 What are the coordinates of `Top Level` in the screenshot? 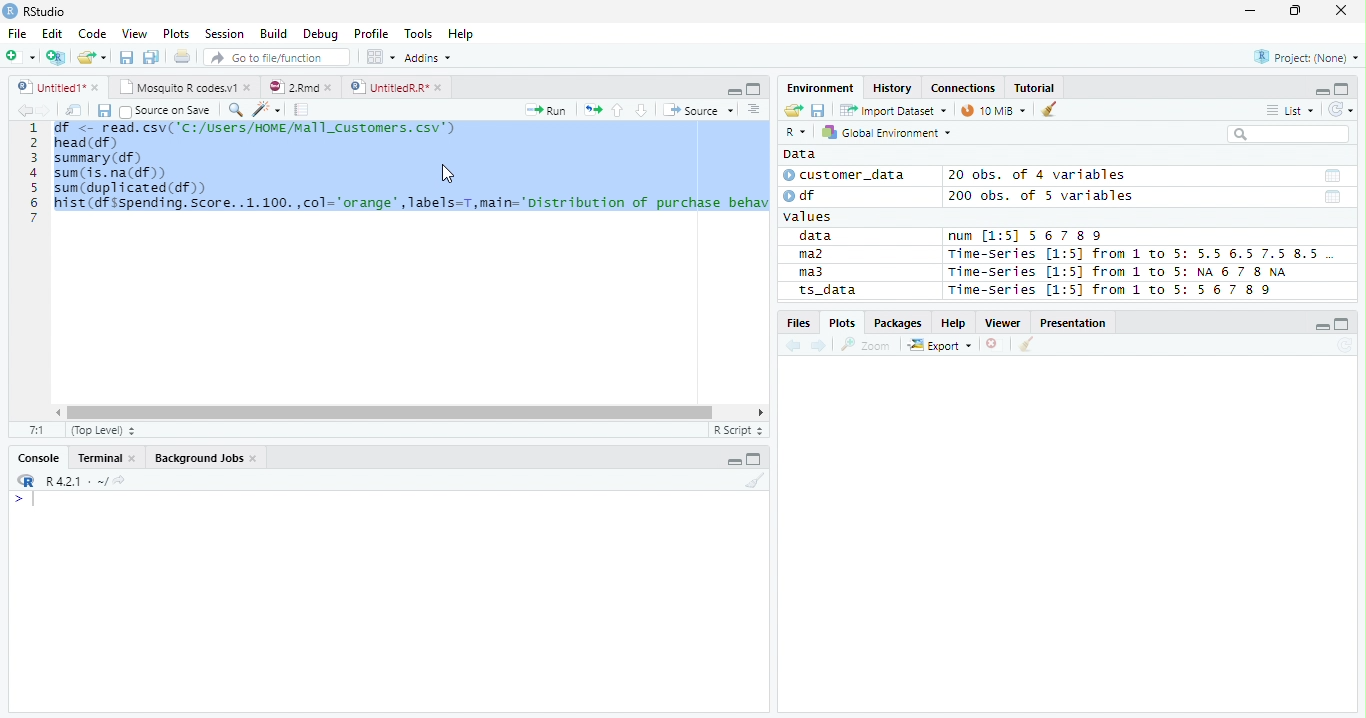 It's located at (101, 431).